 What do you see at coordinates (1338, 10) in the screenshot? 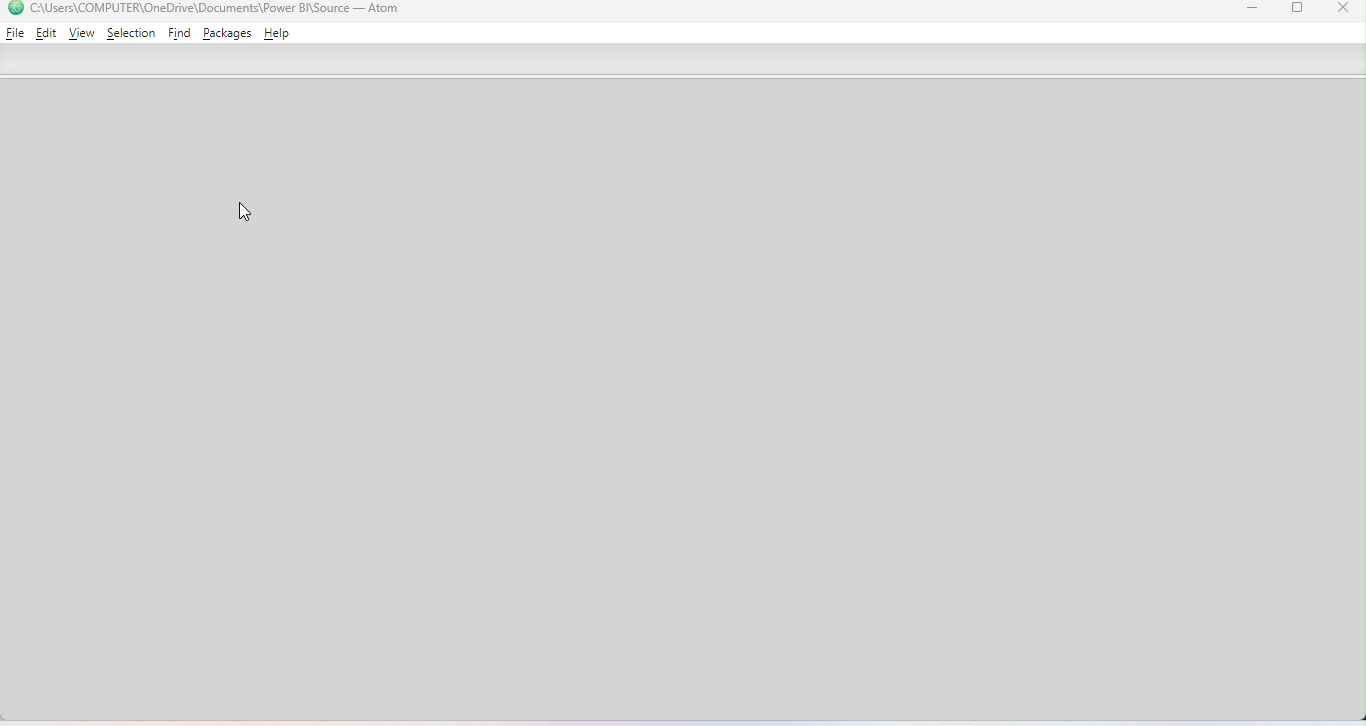
I see `Close` at bounding box center [1338, 10].